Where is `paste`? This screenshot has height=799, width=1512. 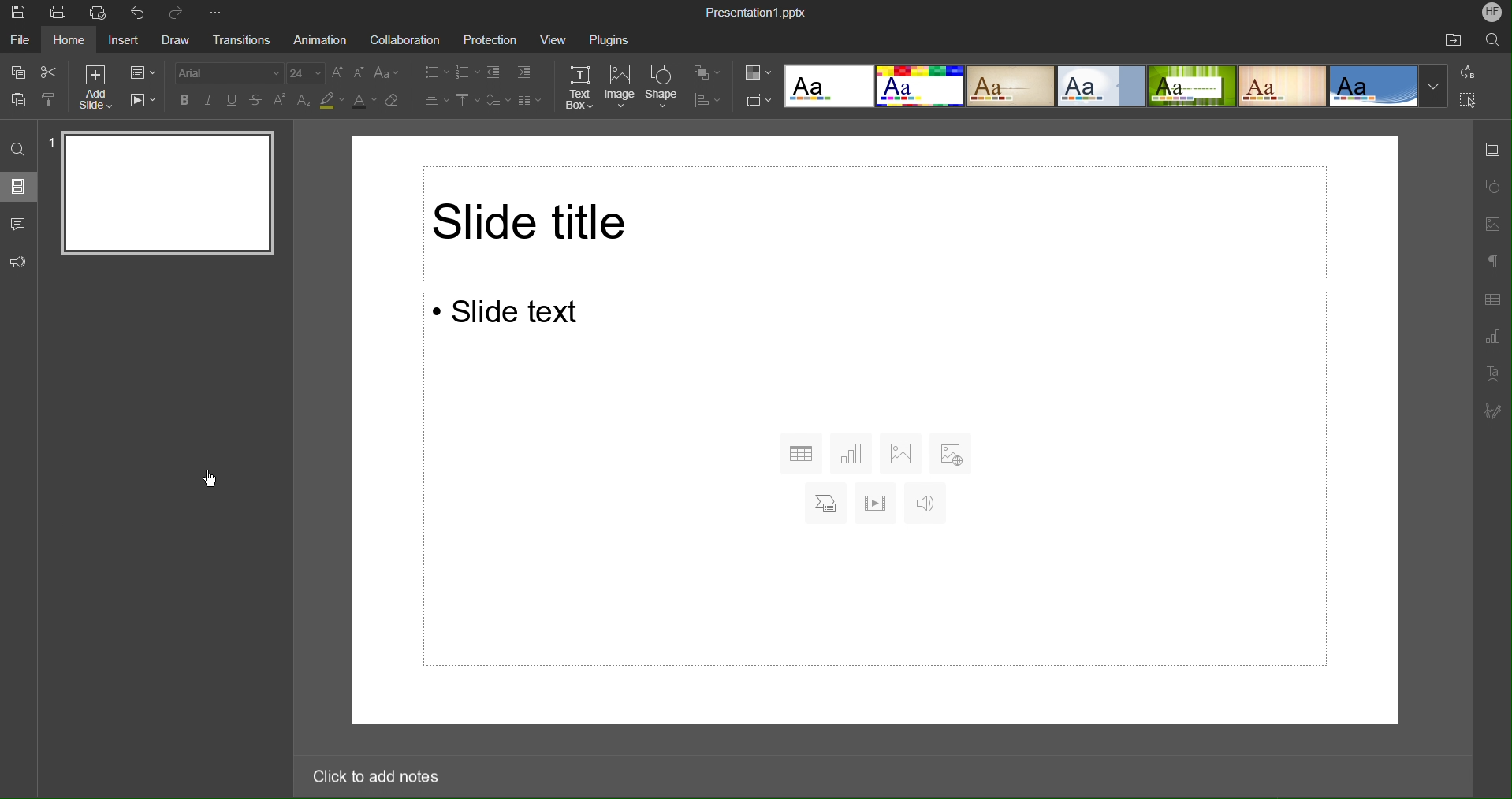
paste is located at coordinates (22, 101).